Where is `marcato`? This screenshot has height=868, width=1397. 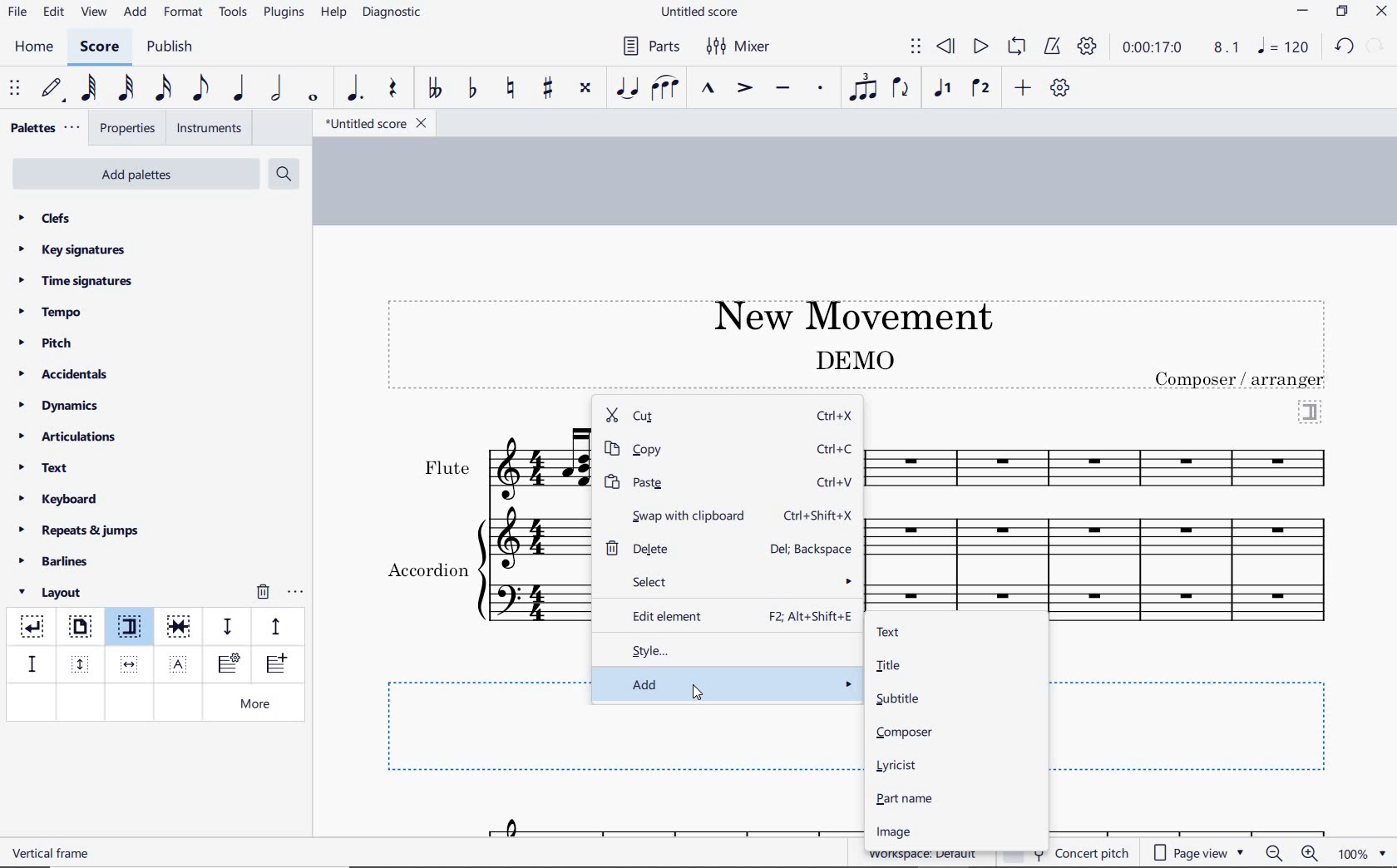
marcato is located at coordinates (710, 90).